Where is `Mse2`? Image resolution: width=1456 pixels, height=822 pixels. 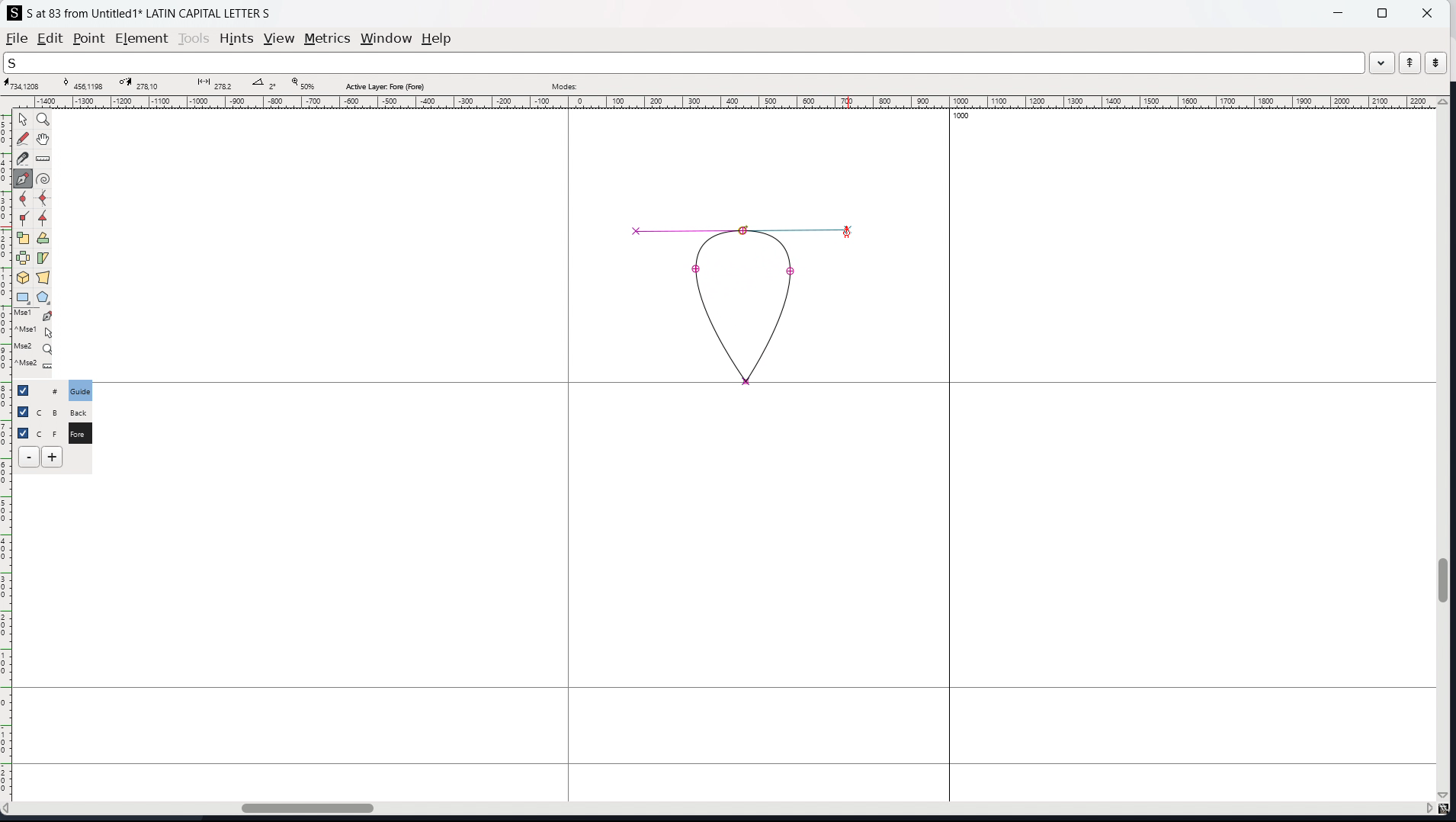 Mse2 is located at coordinates (35, 348).